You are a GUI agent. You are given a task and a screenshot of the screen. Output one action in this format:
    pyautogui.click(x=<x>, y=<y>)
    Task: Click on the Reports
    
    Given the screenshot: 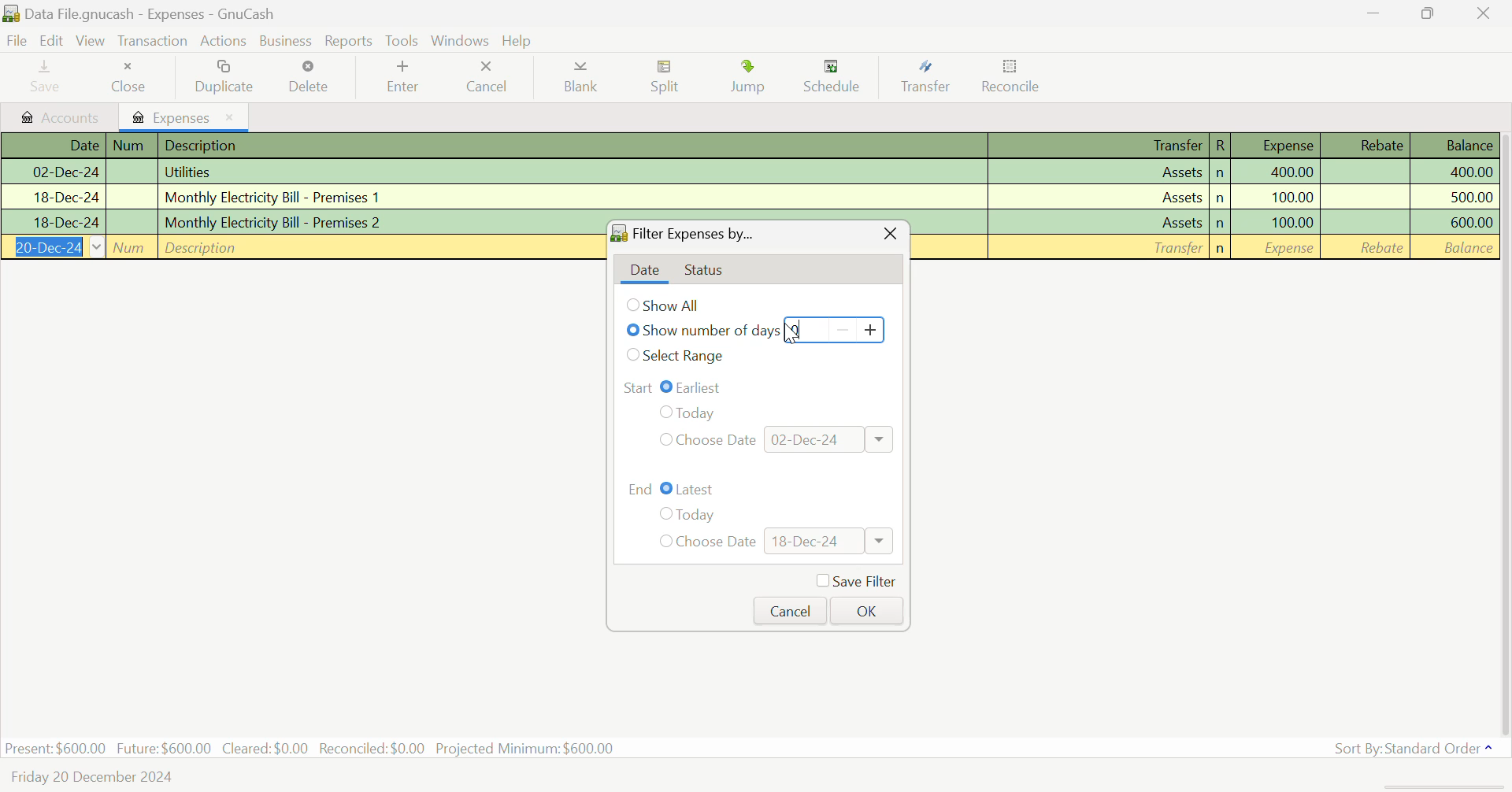 What is the action you would take?
    pyautogui.click(x=348, y=39)
    